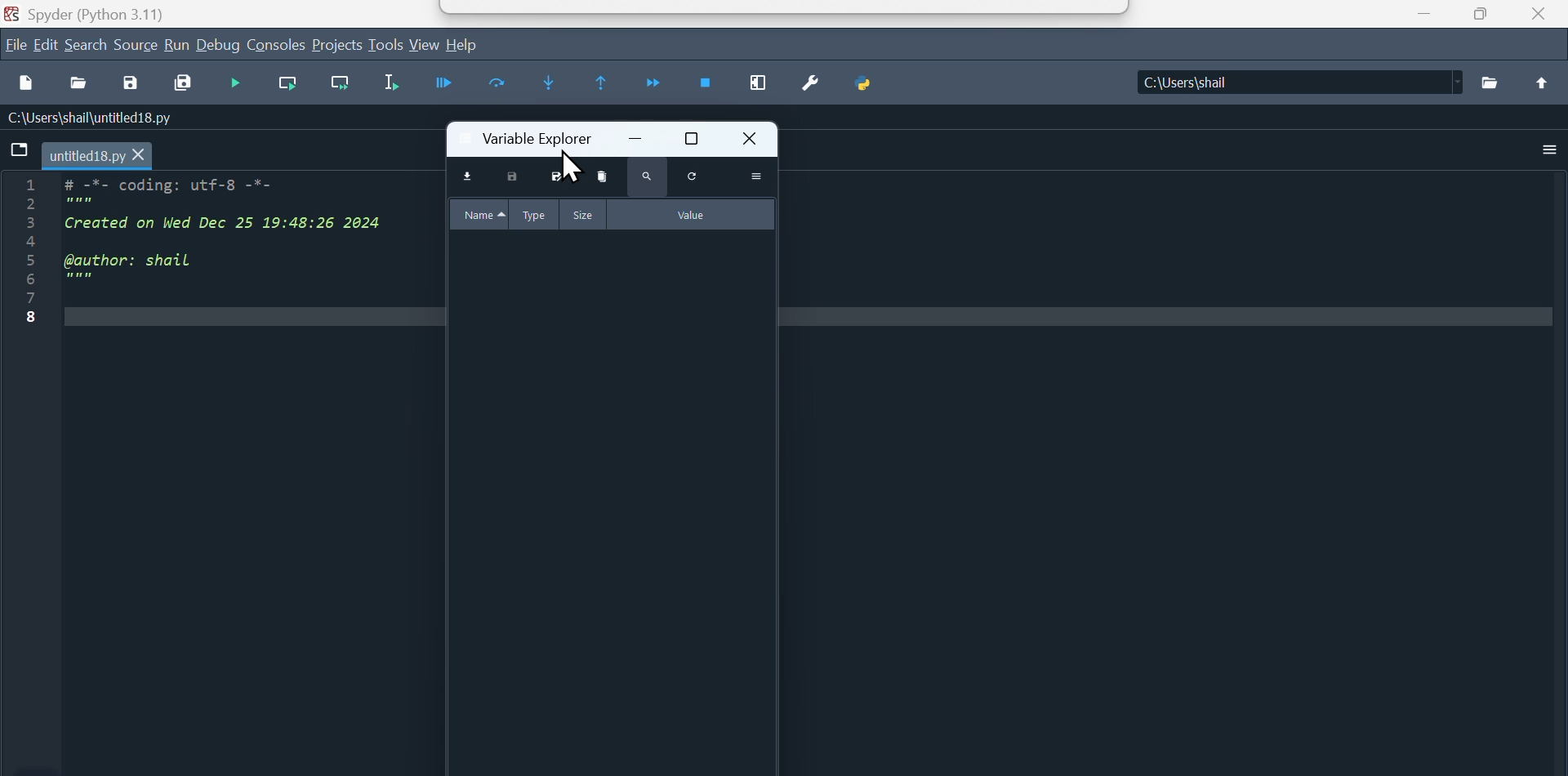 This screenshot has height=776, width=1568. Describe the element at coordinates (1297, 82) in the screenshot. I see `Folder: C:\Users\shail` at that location.